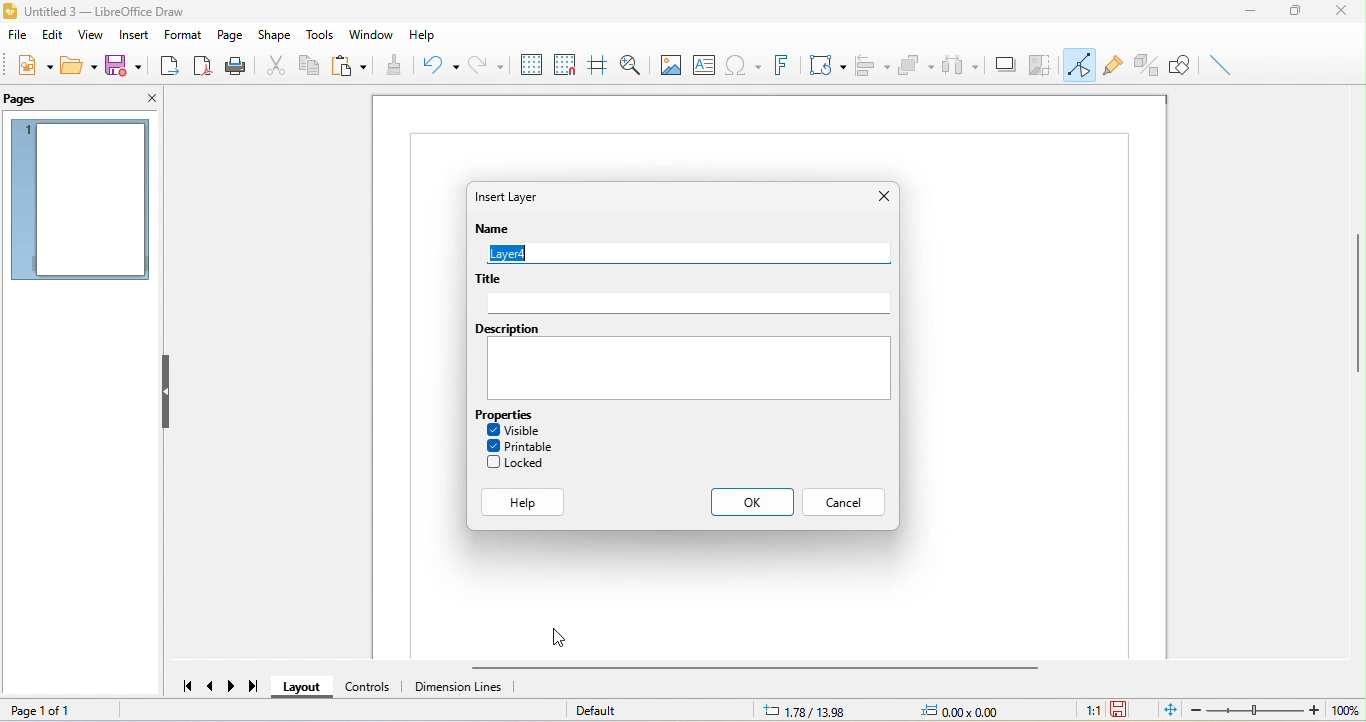 This screenshot has width=1366, height=722. I want to click on transformation, so click(823, 65).